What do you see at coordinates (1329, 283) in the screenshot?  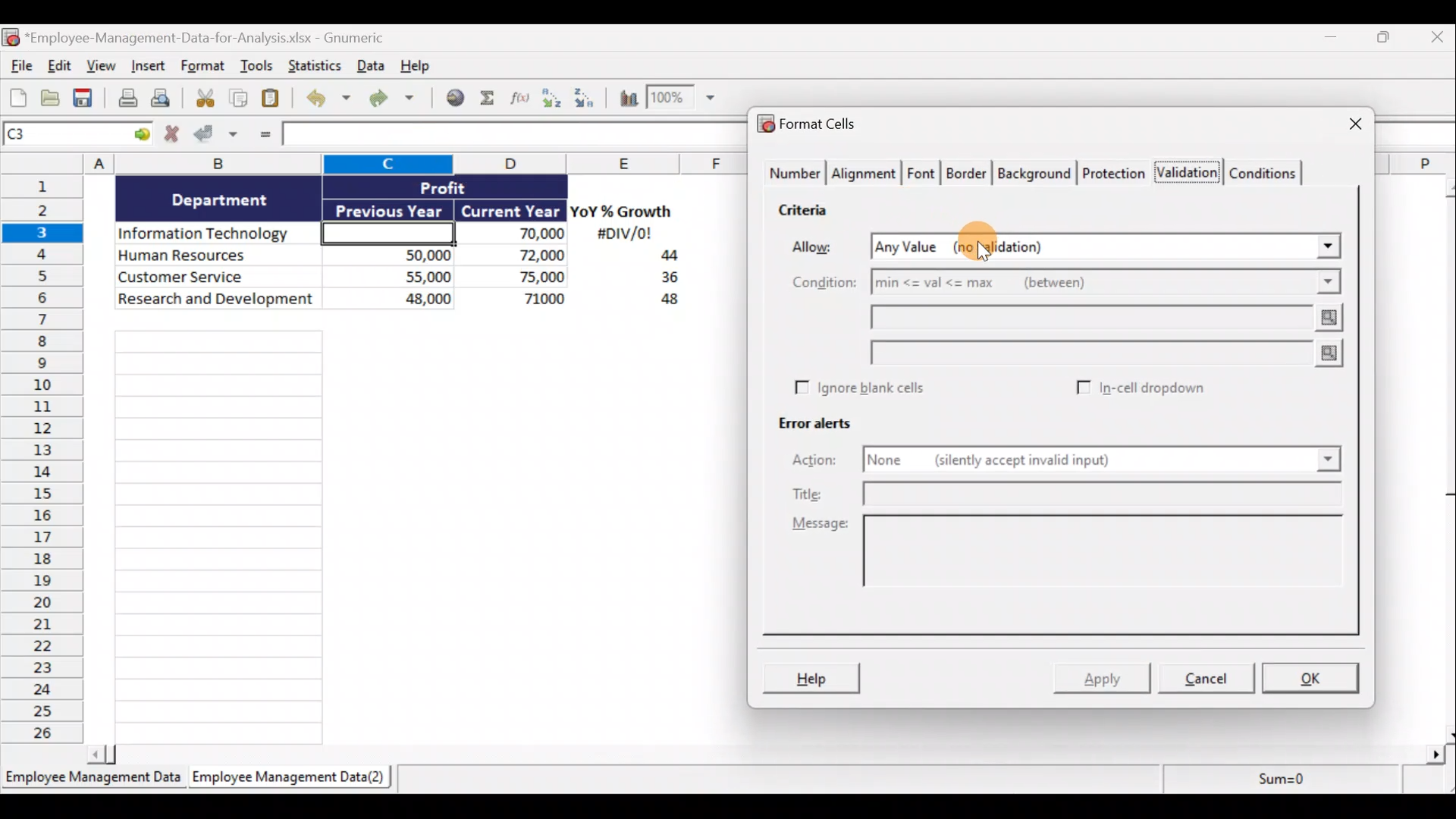 I see `Condition drop down` at bounding box center [1329, 283].